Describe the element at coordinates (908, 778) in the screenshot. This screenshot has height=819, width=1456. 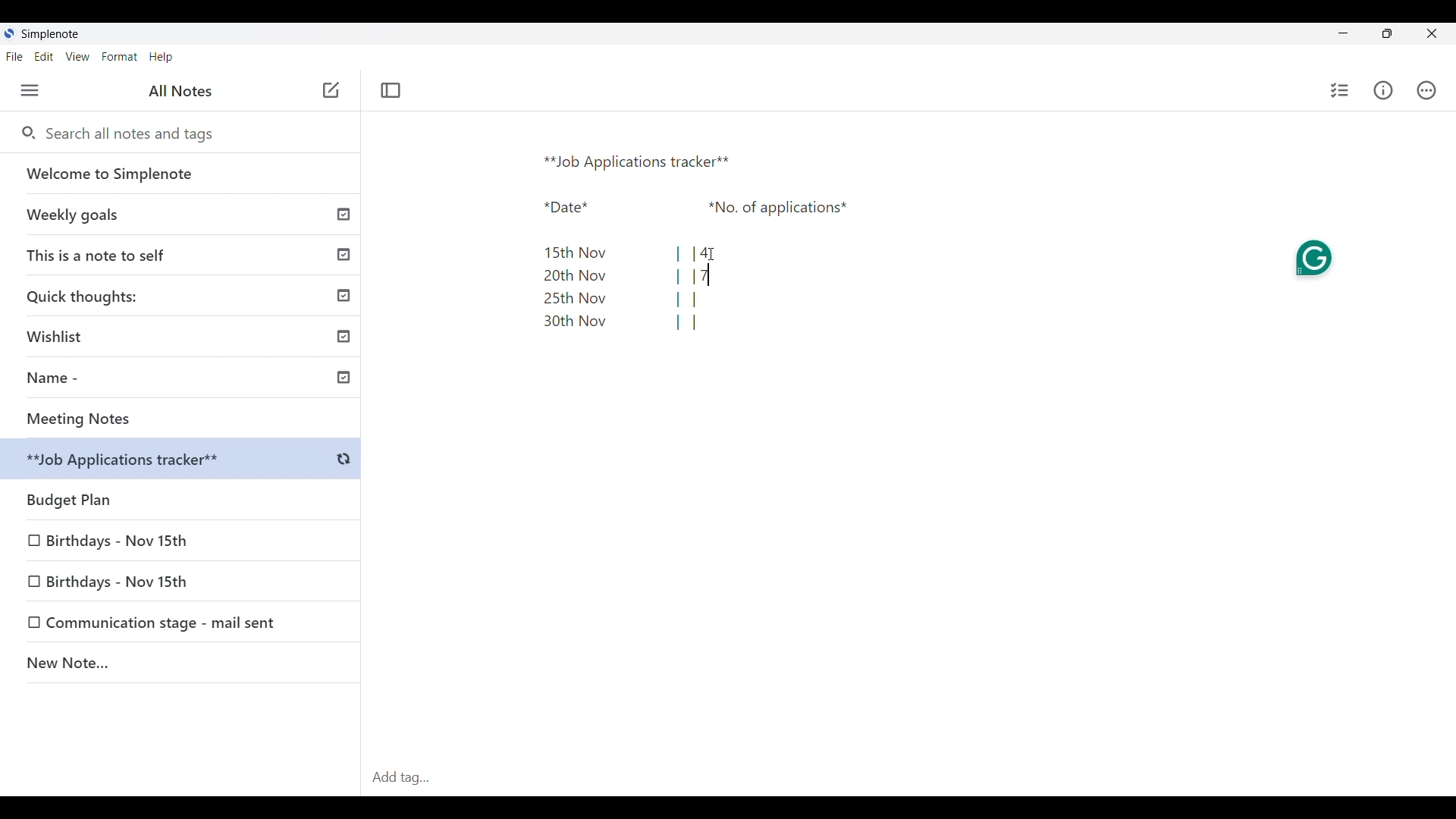
I see `Click to type in tag` at that location.